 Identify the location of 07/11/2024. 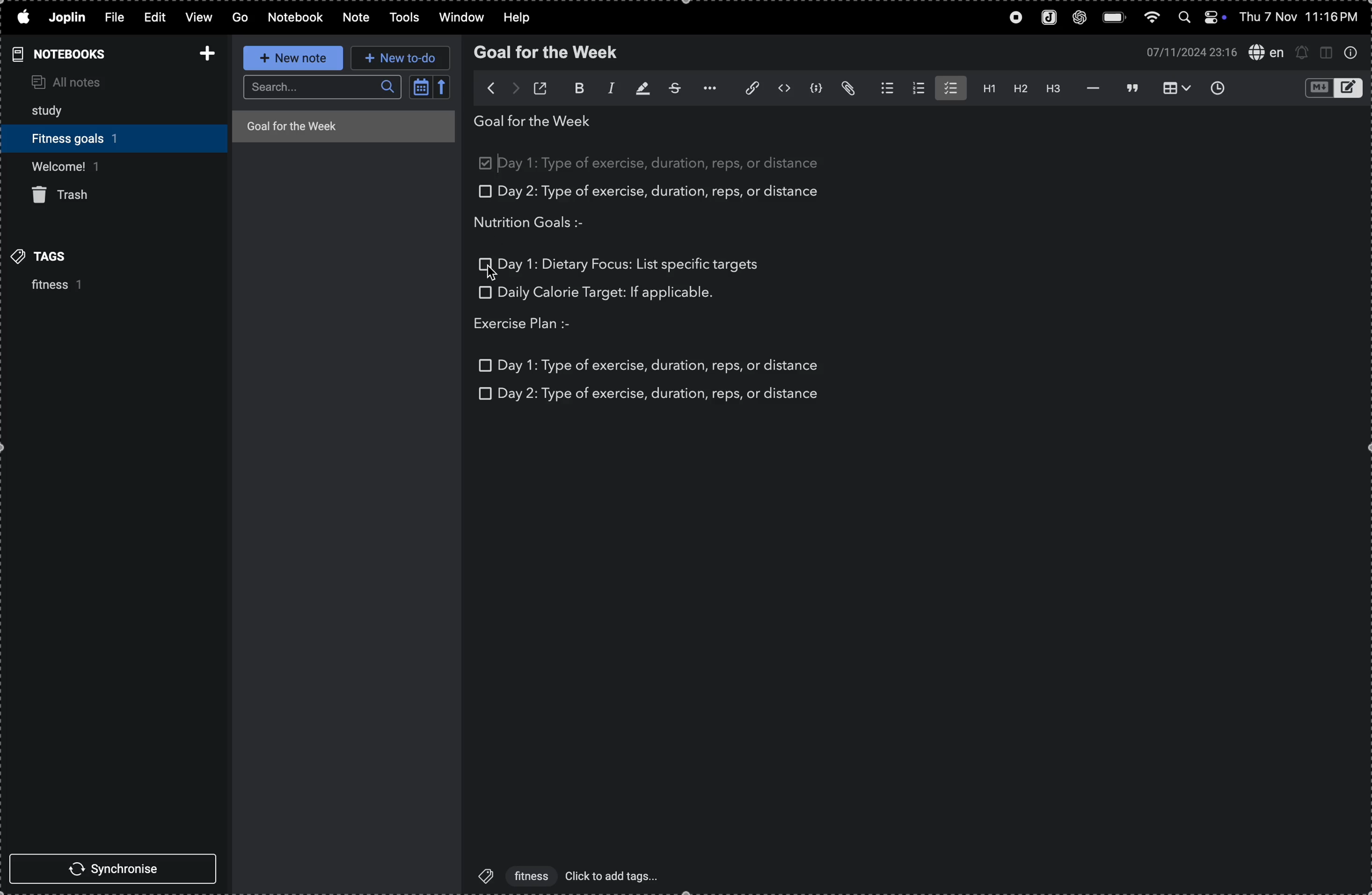
(1187, 52).